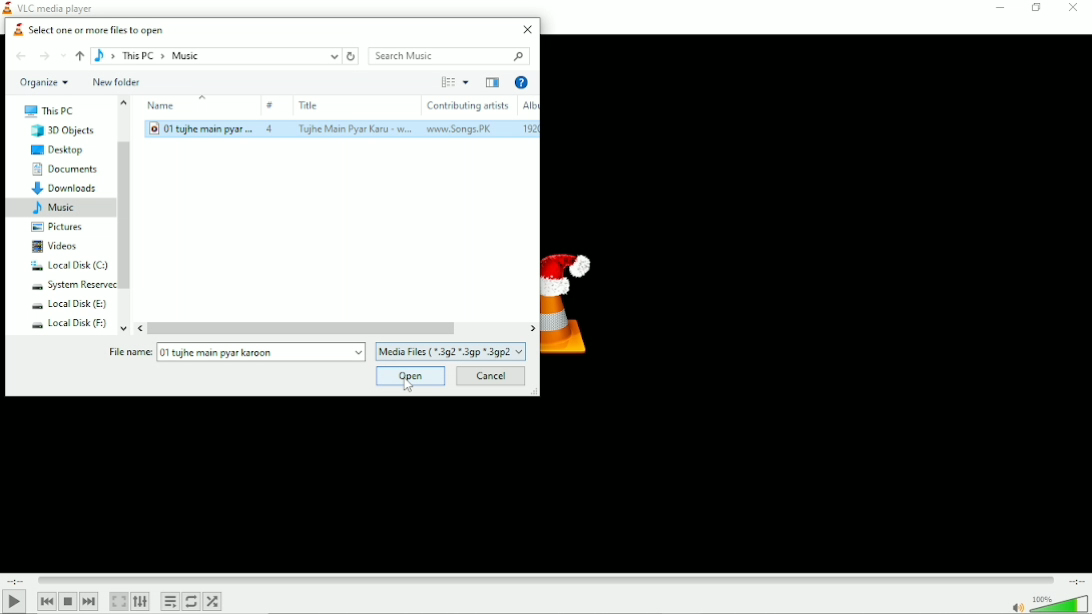  I want to click on Desktop, so click(59, 150).